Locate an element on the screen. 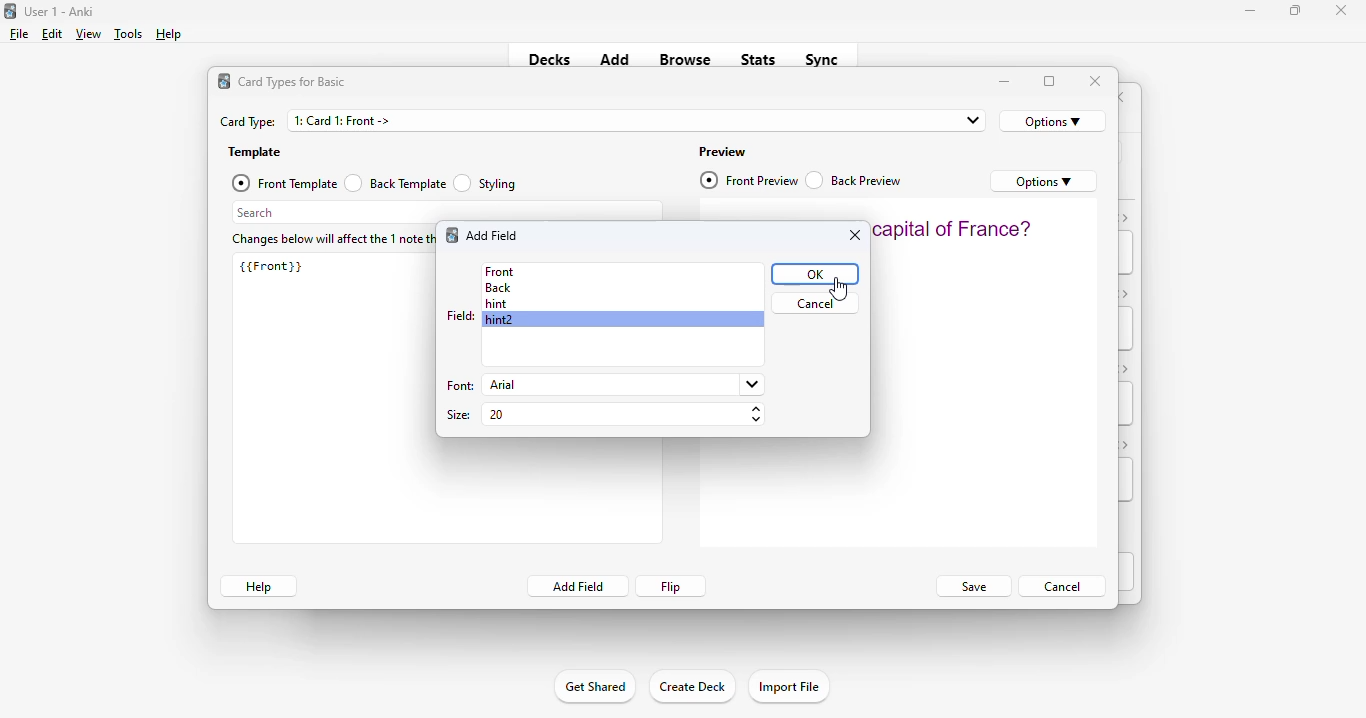  logo is located at coordinates (451, 234).